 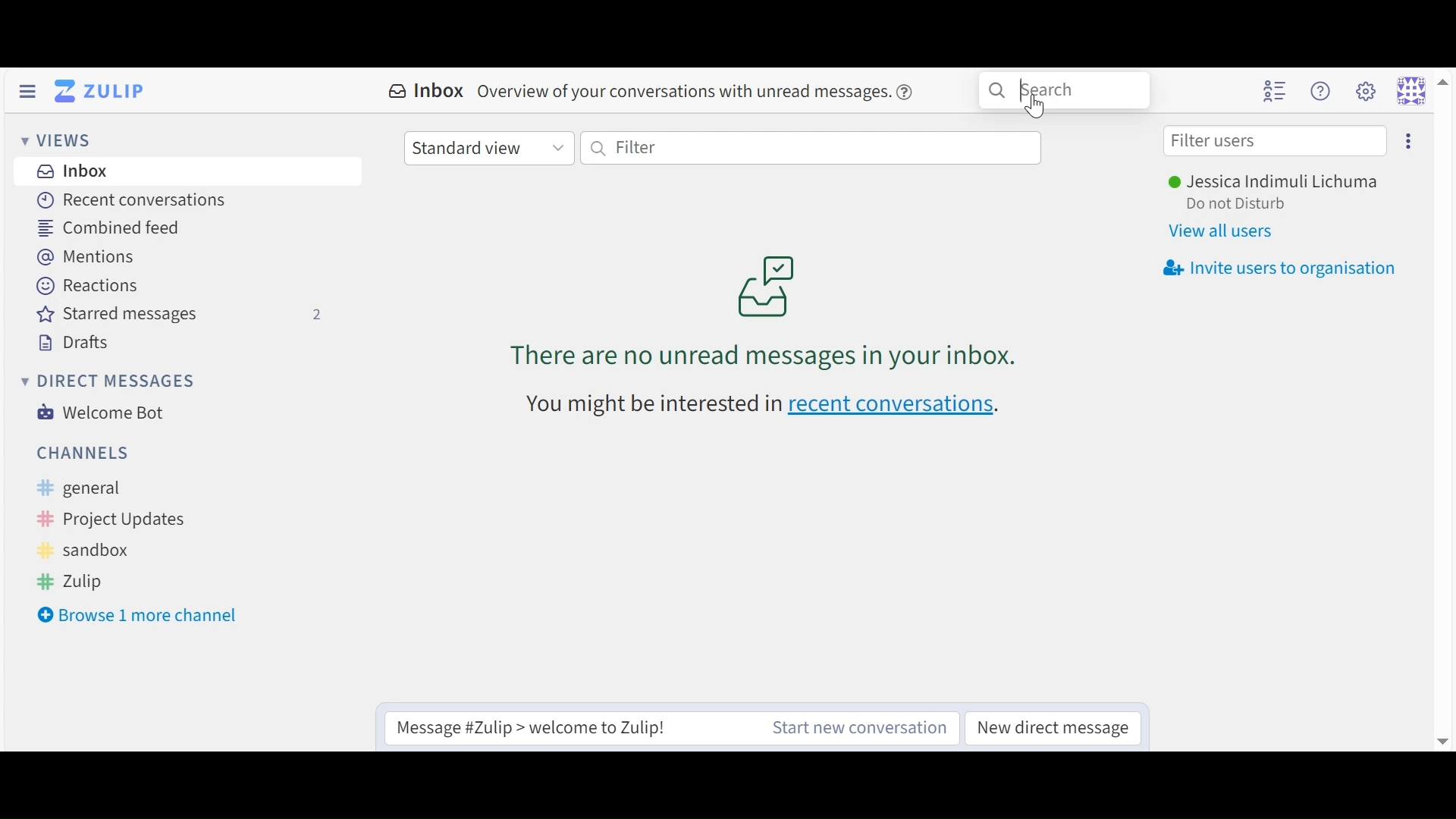 What do you see at coordinates (559, 727) in the screenshot?
I see `Reply to message` at bounding box center [559, 727].